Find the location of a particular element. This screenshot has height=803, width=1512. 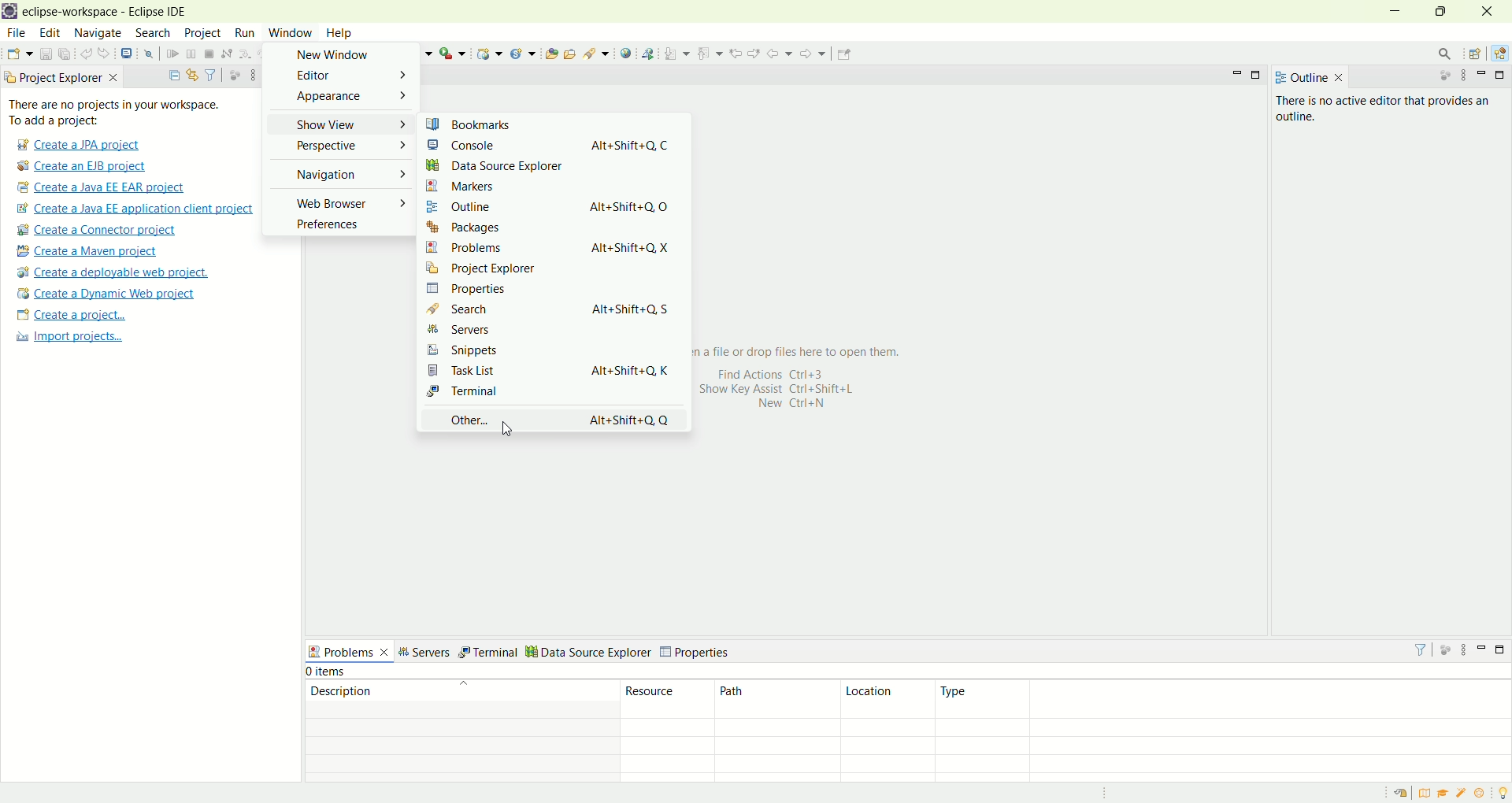

web browser is located at coordinates (339, 205).